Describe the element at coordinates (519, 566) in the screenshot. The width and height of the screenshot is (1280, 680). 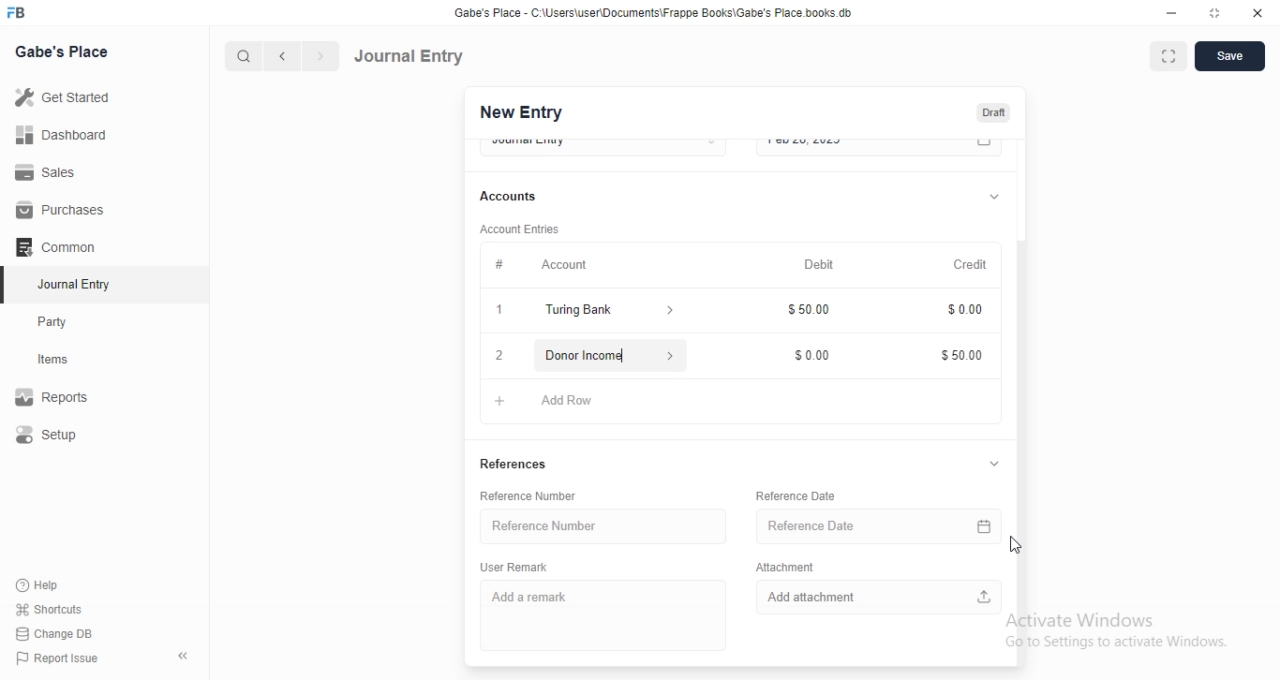
I see `User Remark` at that location.